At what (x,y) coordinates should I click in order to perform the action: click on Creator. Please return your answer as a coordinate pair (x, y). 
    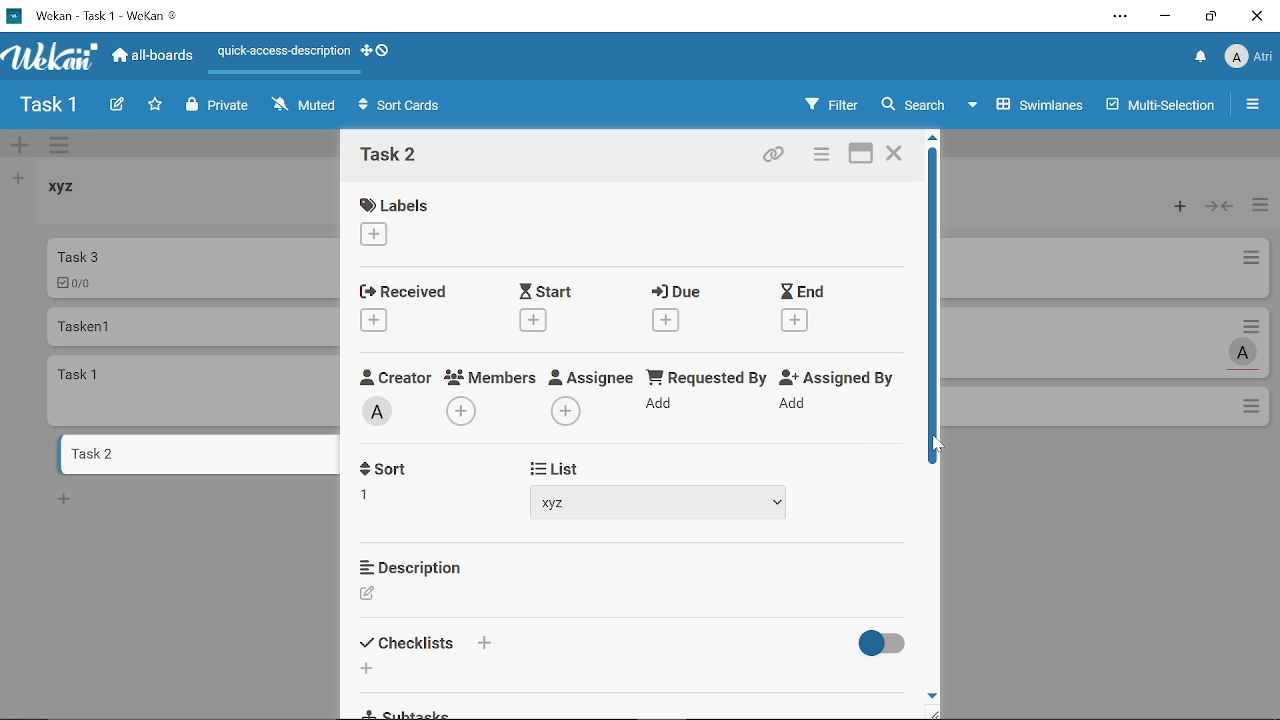
    Looking at the image, I should click on (376, 413).